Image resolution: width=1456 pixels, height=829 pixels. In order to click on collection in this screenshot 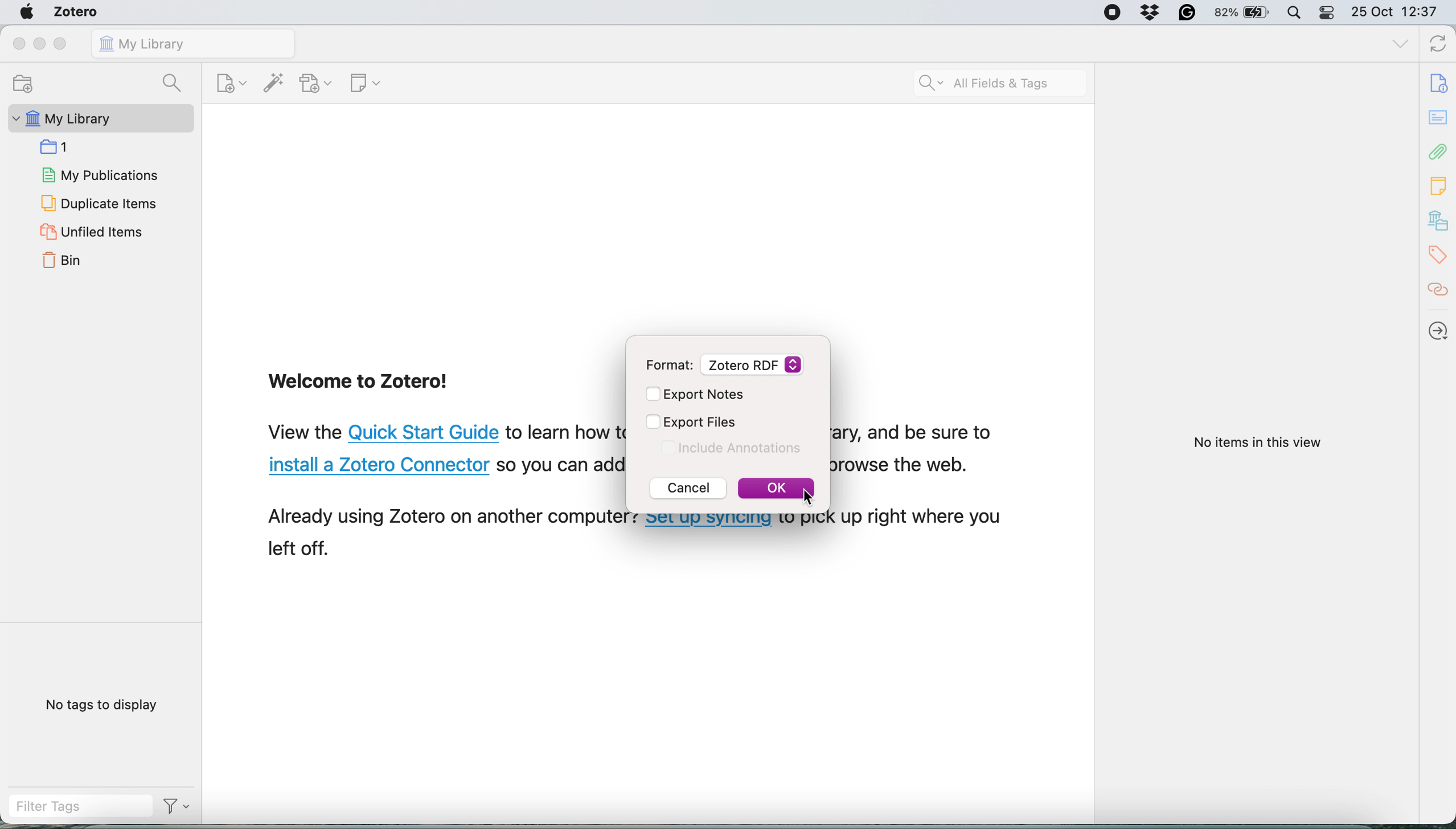, I will do `click(54, 147)`.